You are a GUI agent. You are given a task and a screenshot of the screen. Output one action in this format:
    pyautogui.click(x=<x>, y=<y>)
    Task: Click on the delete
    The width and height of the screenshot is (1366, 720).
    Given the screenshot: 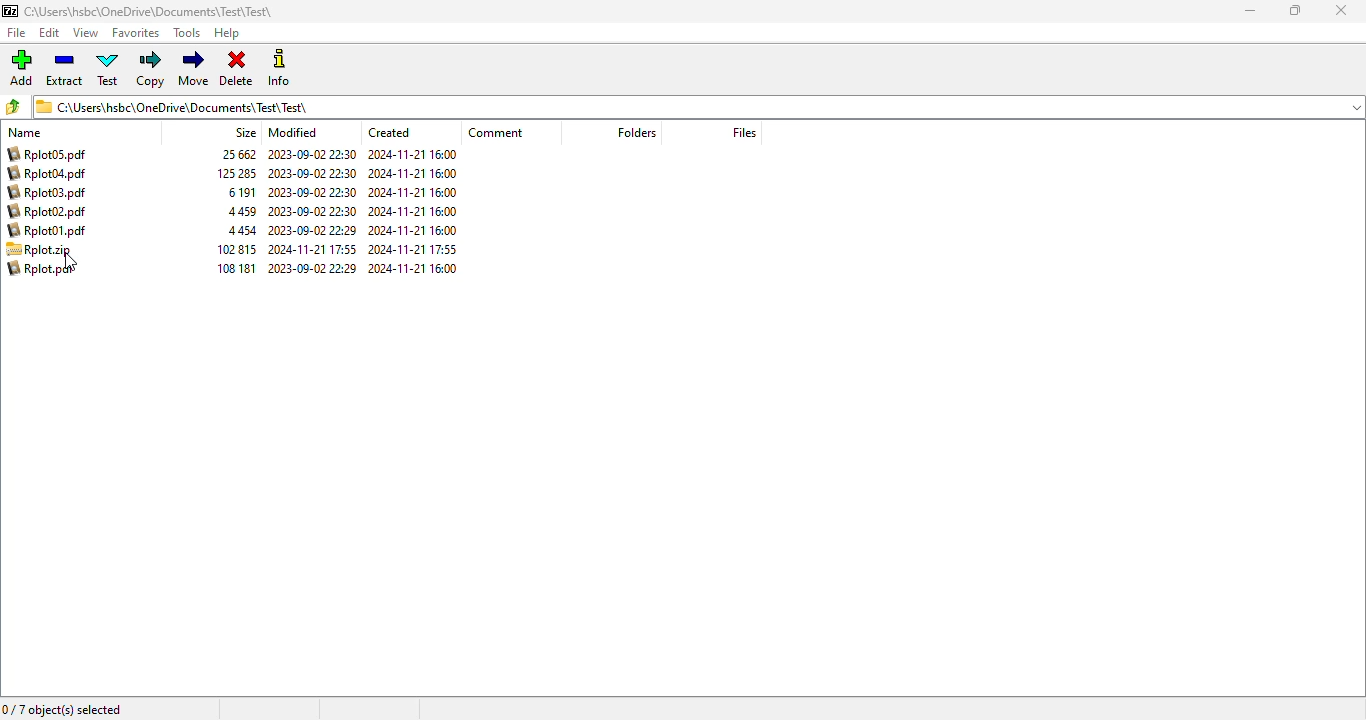 What is the action you would take?
    pyautogui.click(x=237, y=68)
    